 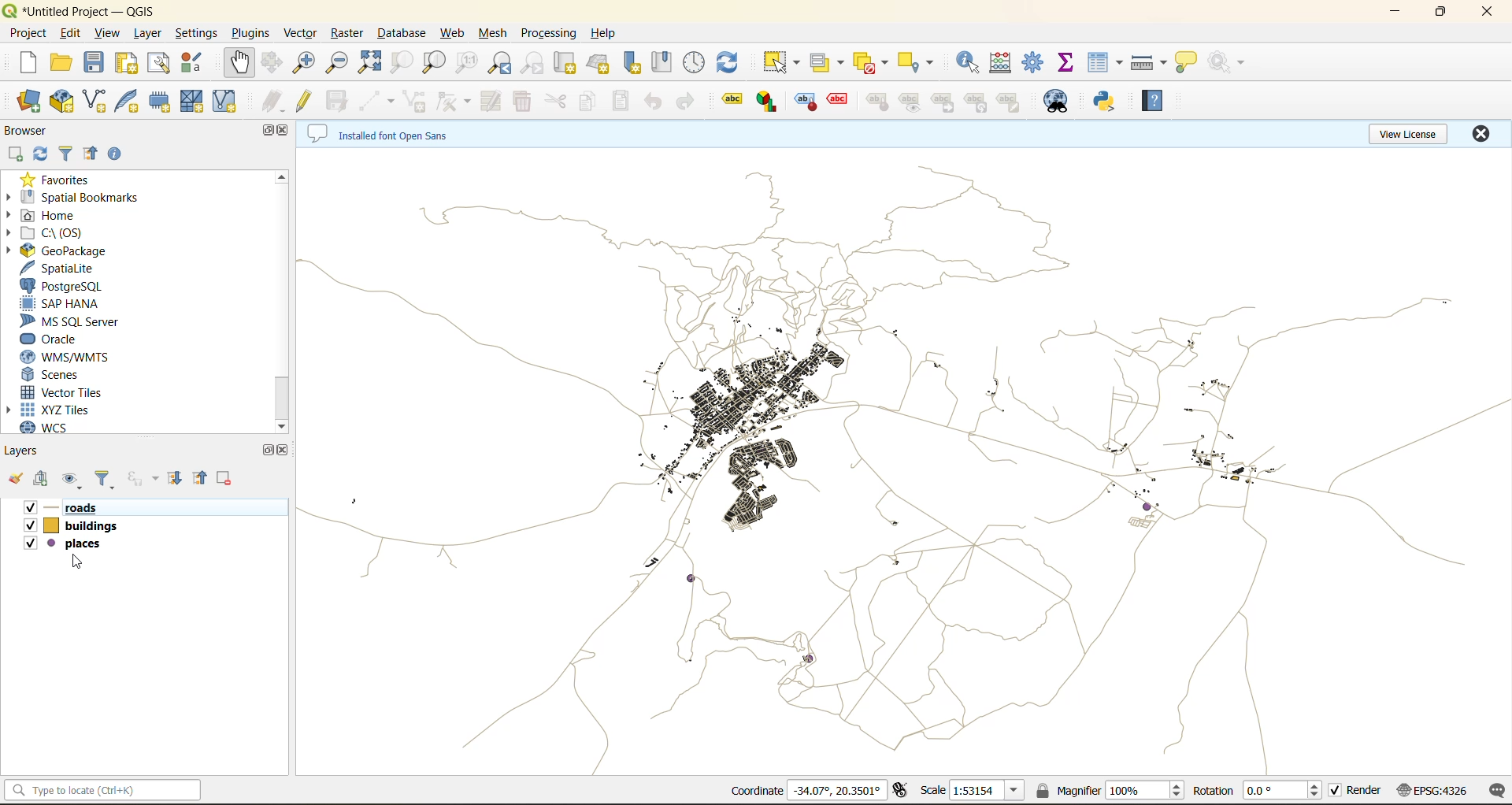 What do you see at coordinates (972, 63) in the screenshot?
I see `identify features` at bounding box center [972, 63].